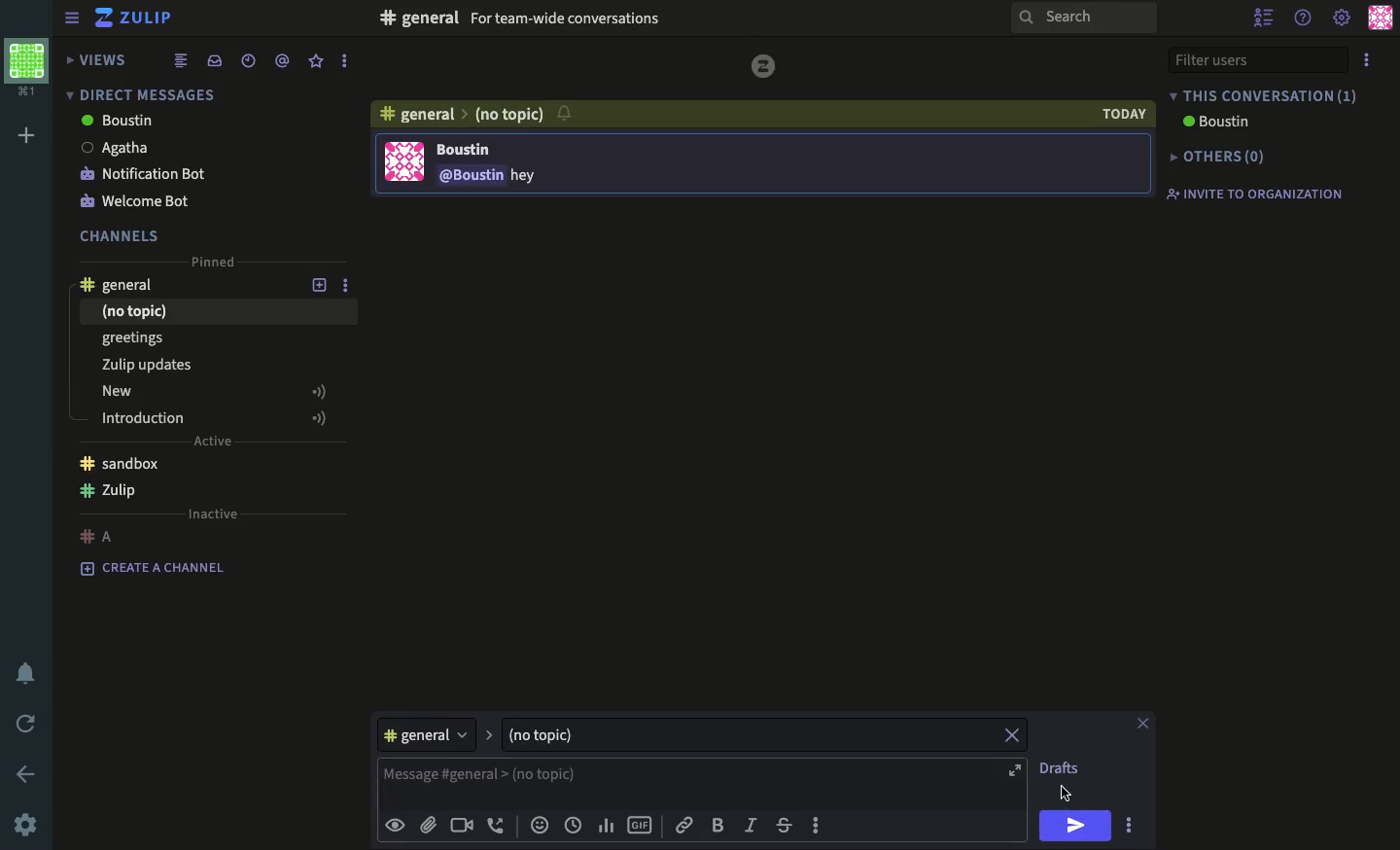 The height and width of the screenshot is (850, 1400). I want to click on settings, so click(1343, 19).